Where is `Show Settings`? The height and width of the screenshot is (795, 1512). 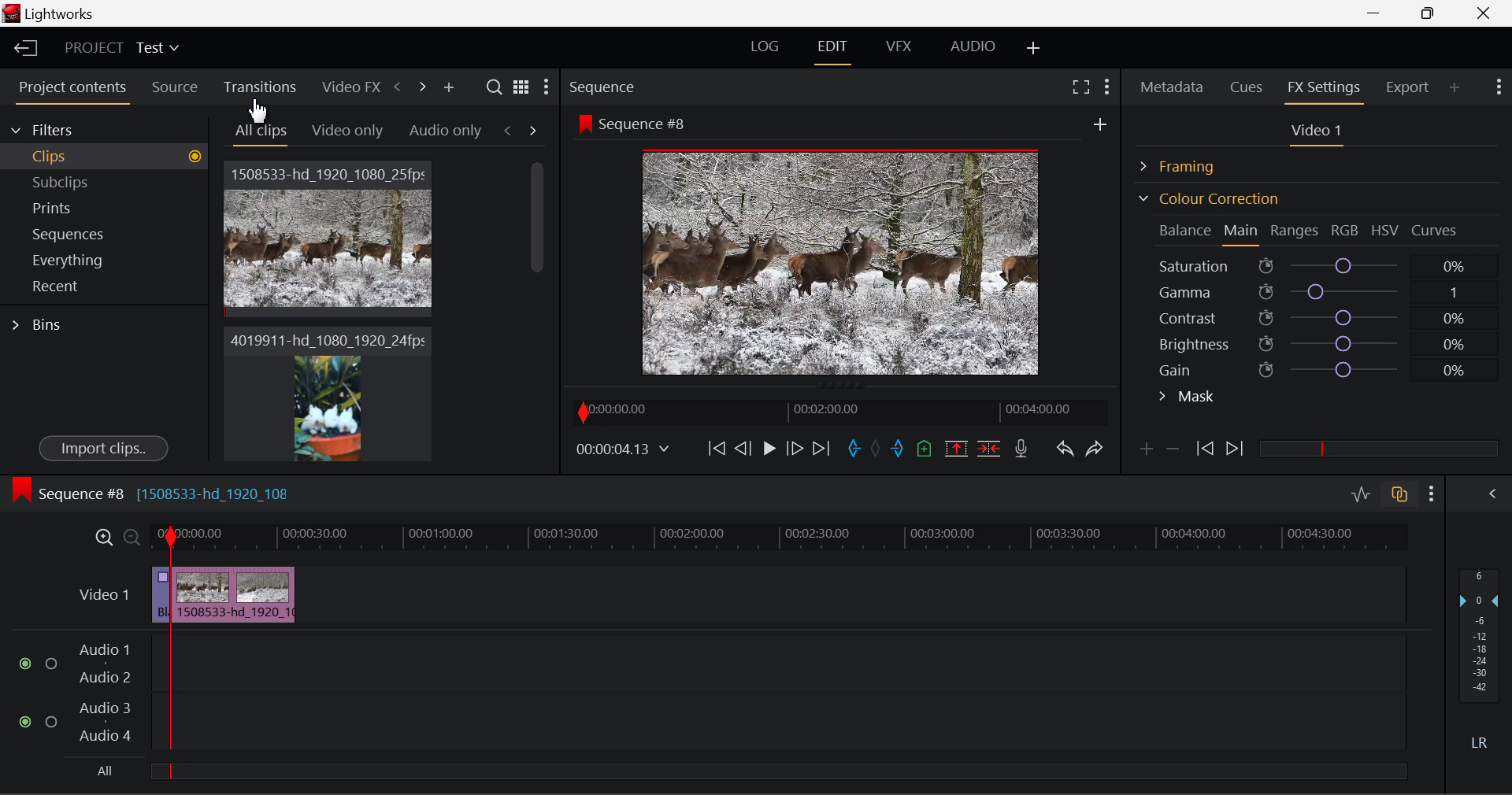
Show Settings is located at coordinates (1432, 494).